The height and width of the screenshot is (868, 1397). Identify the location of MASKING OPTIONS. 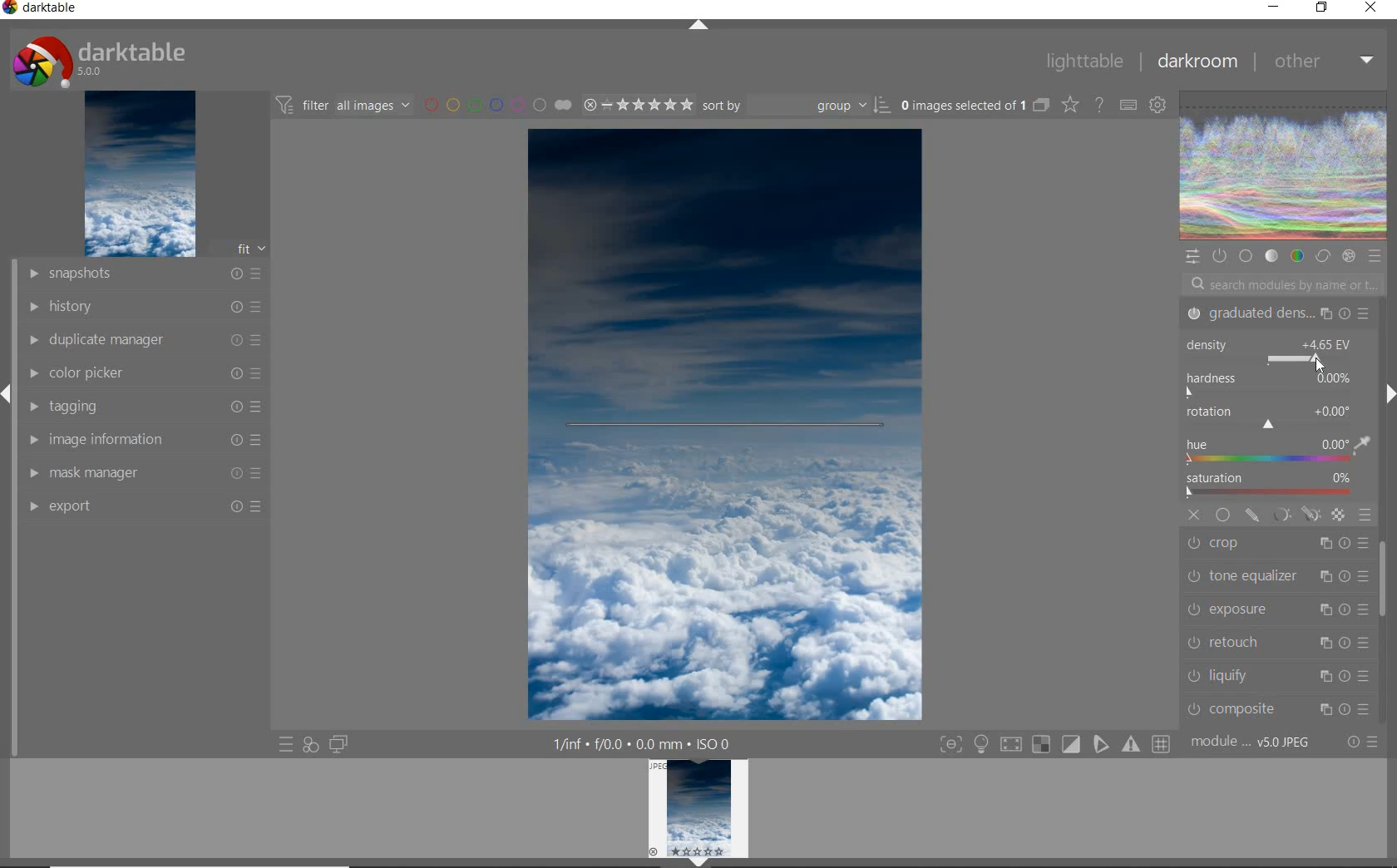
(1295, 515).